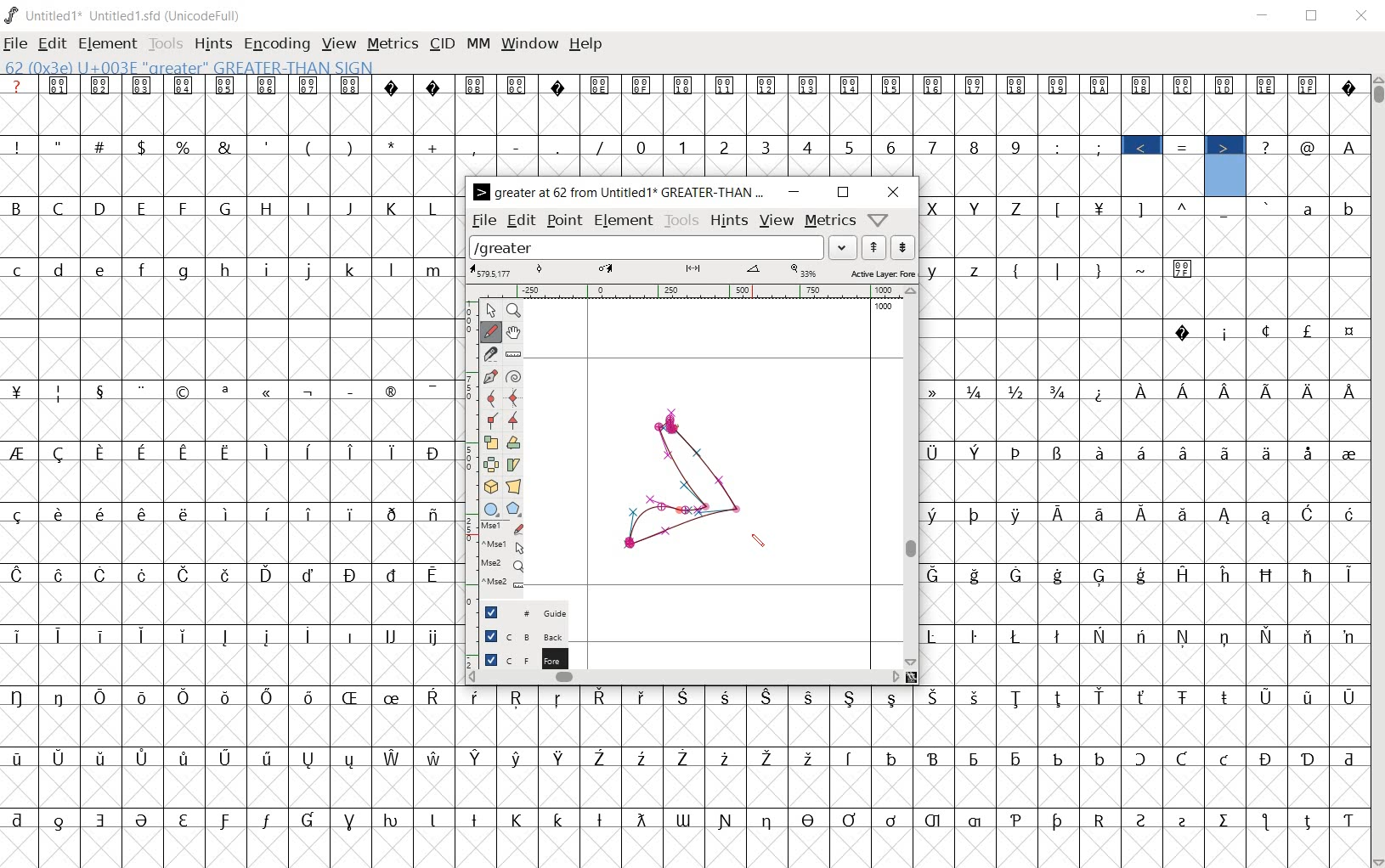 This screenshot has width=1385, height=868. What do you see at coordinates (684, 679) in the screenshot?
I see `scrollbar` at bounding box center [684, 679].